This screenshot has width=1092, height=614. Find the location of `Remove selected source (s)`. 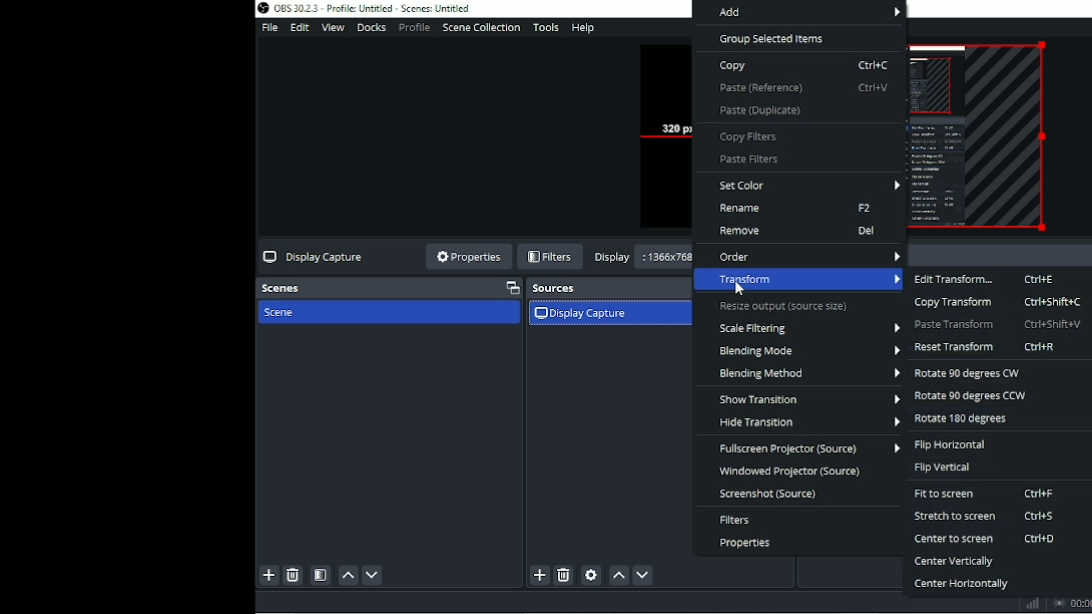

Remove selected source (s) is located at coordinates (563, 575).